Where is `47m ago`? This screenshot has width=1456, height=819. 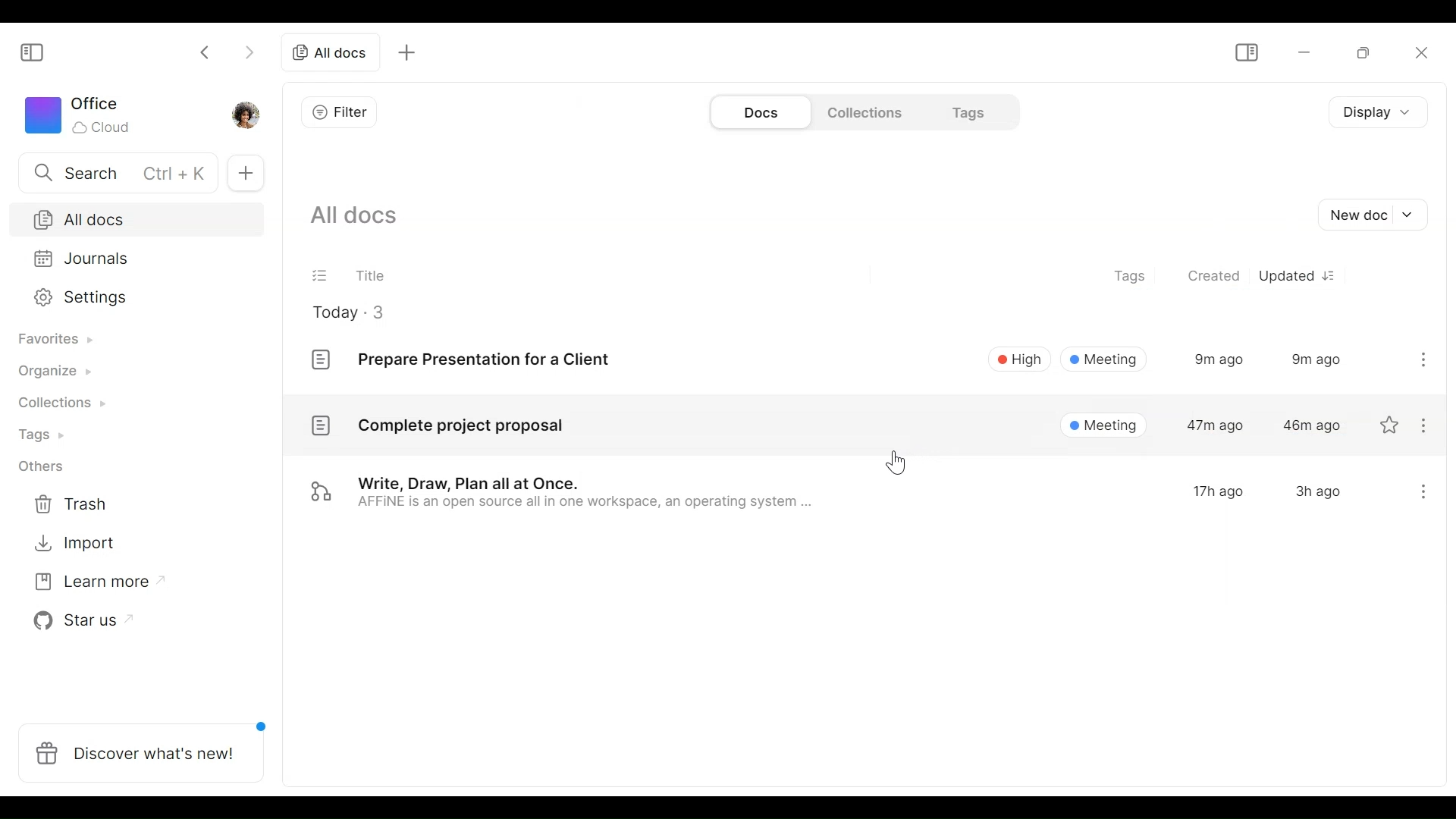 47m ago is located at coordinates (1216, 425).